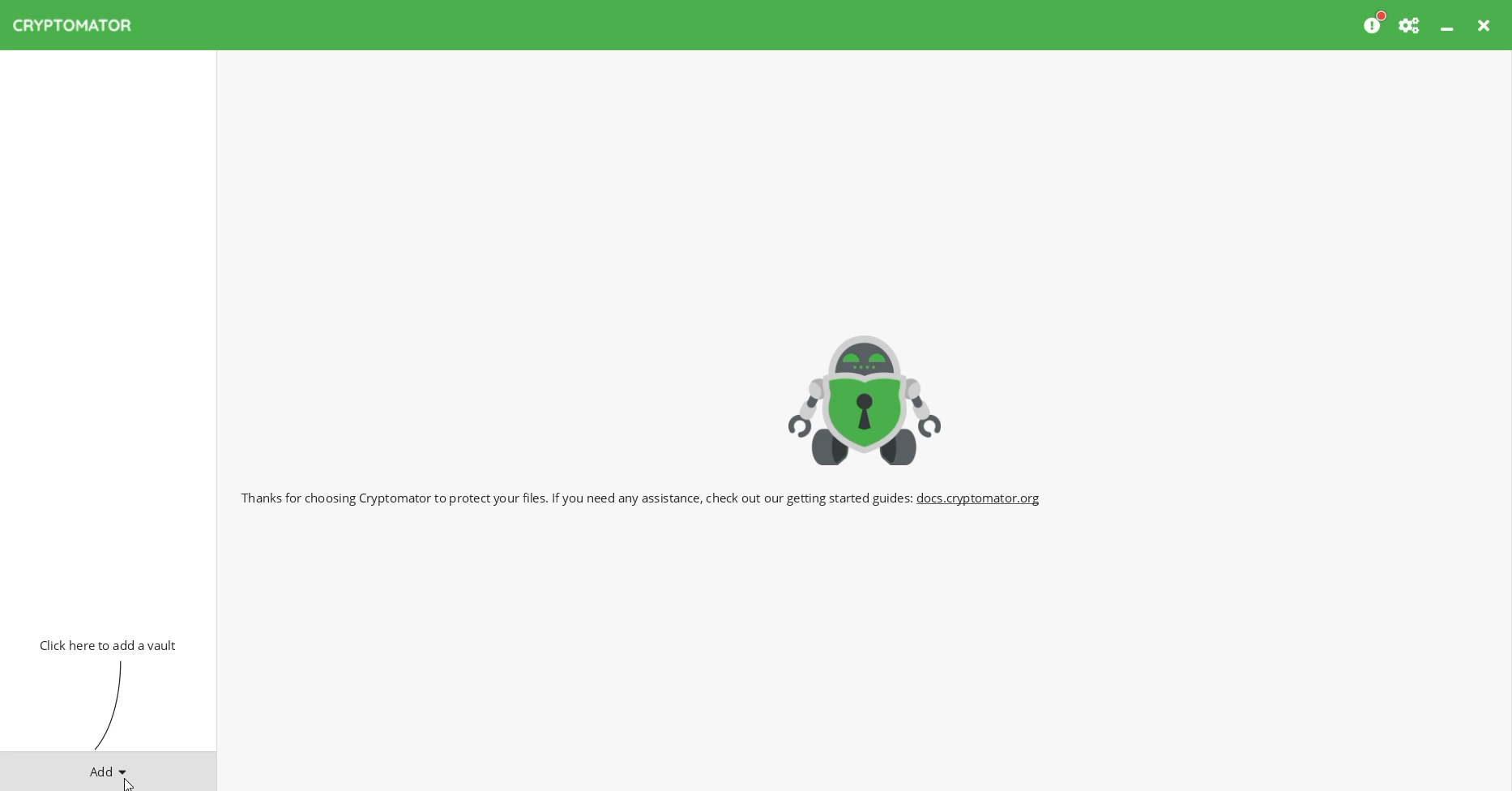  I want to click on Minimize, so click(1449, 25).